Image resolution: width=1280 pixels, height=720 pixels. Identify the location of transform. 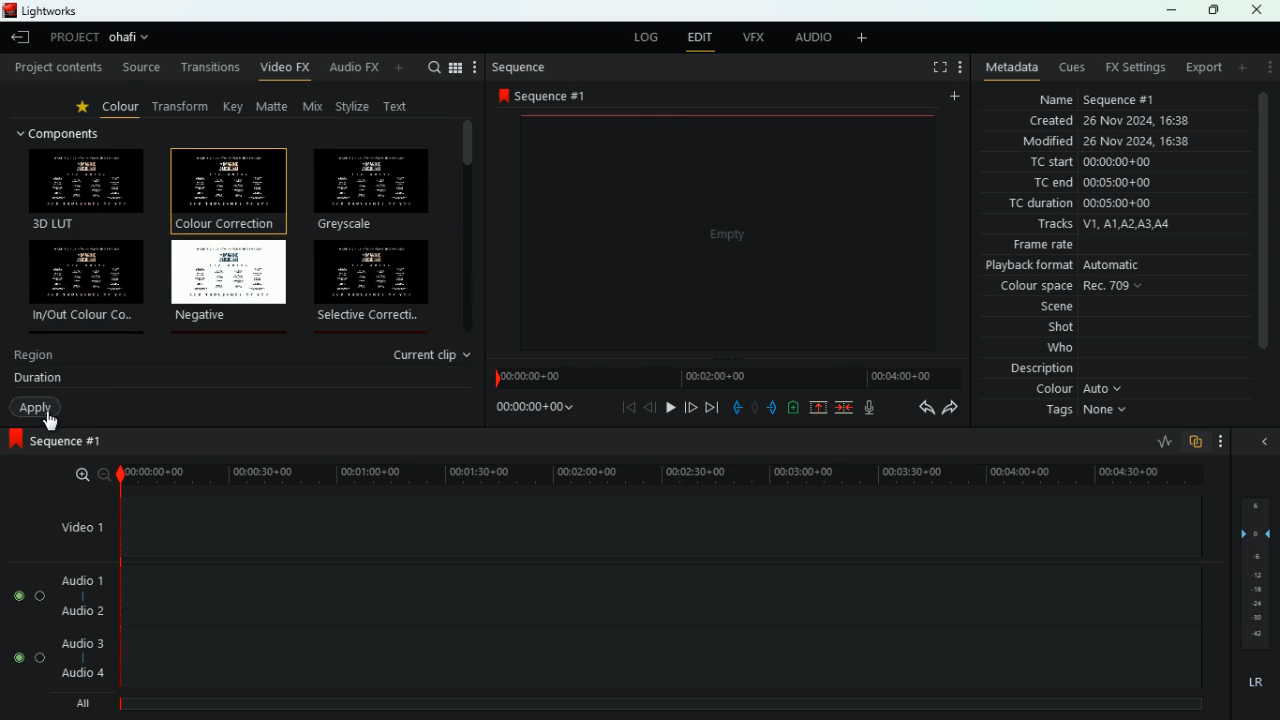
(185, 107).